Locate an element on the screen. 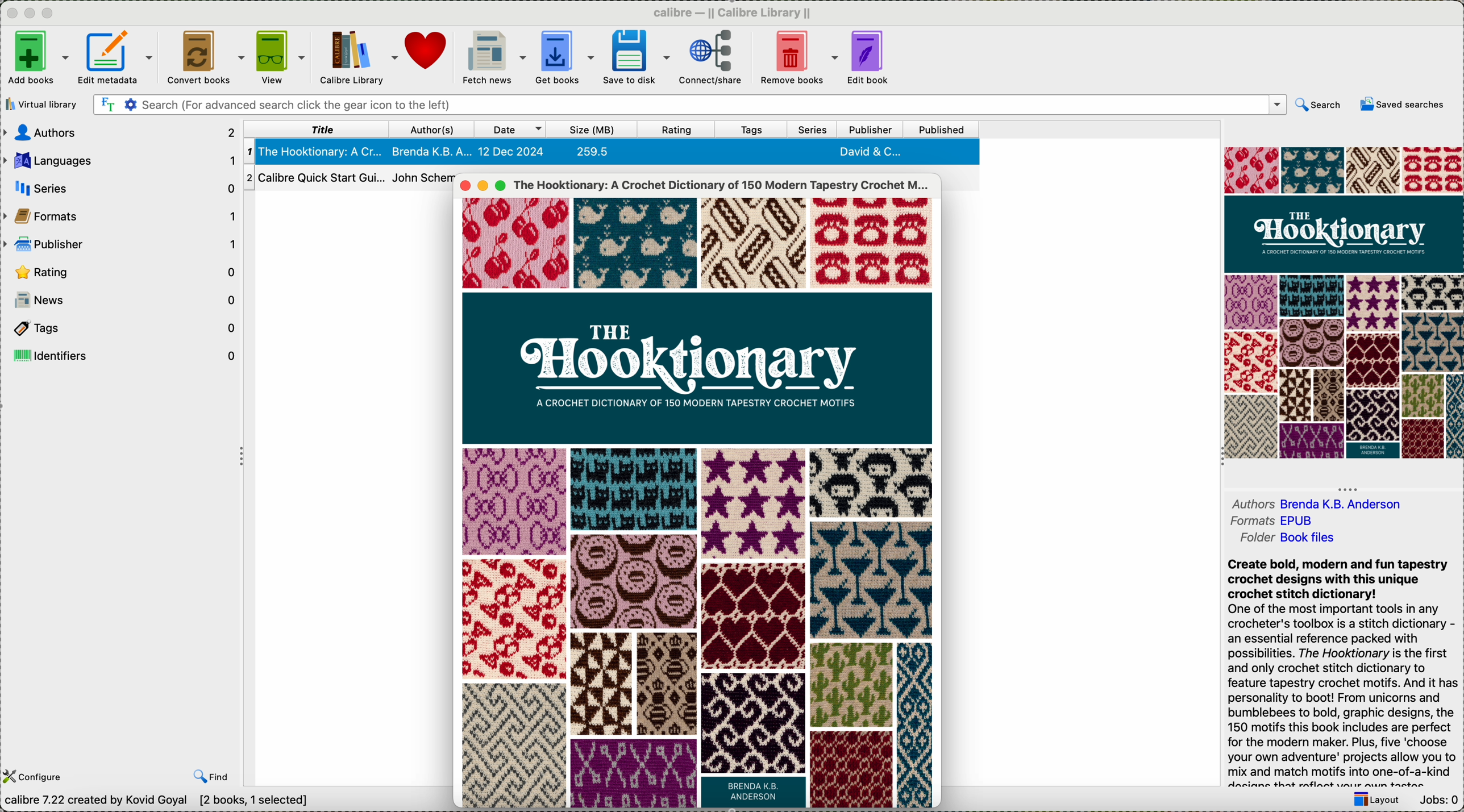 The image size is (1464, 812). identifiers is located at coordinates (122, 354).